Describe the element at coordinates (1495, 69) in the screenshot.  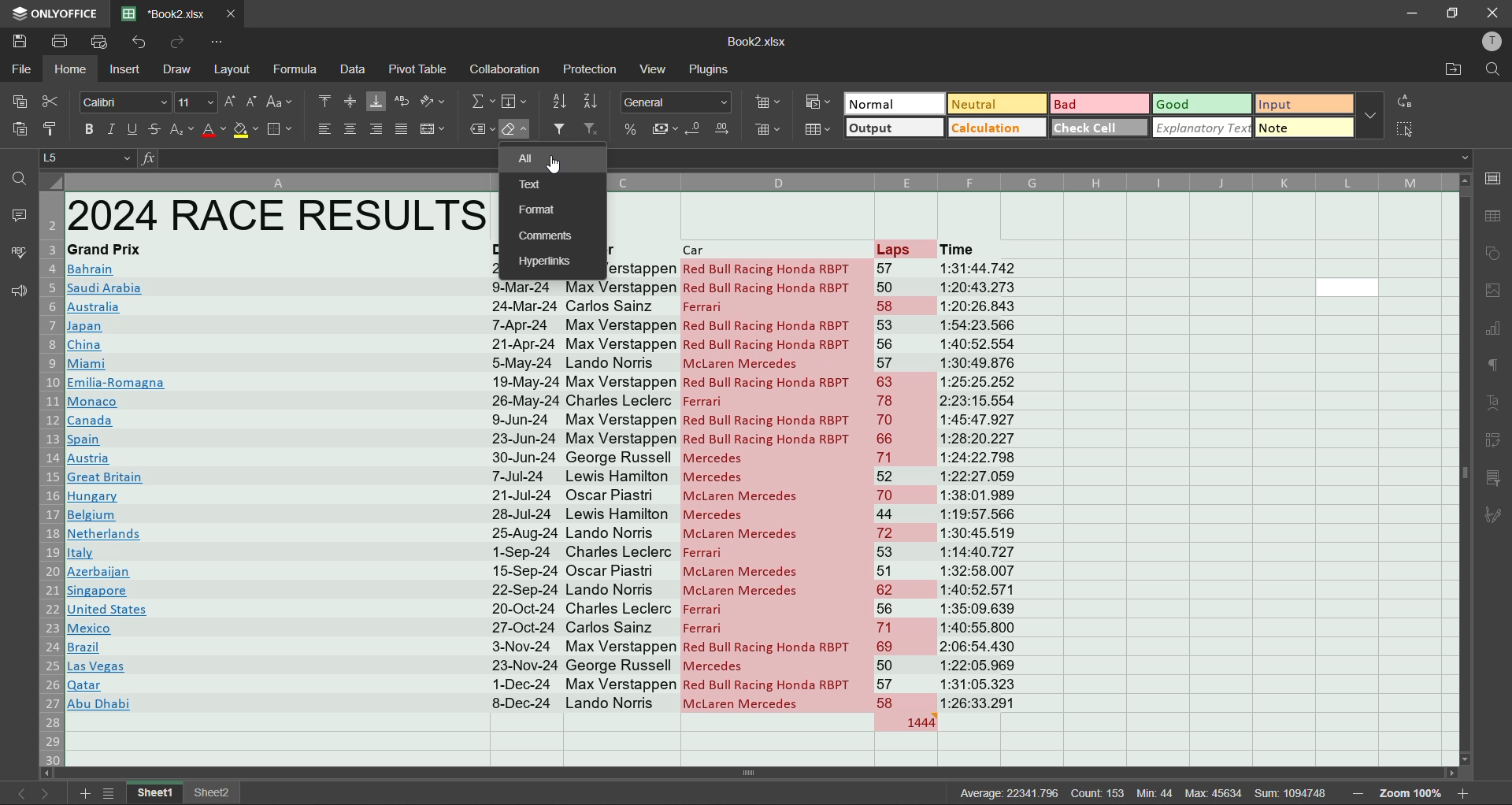
I see `find` at that location.